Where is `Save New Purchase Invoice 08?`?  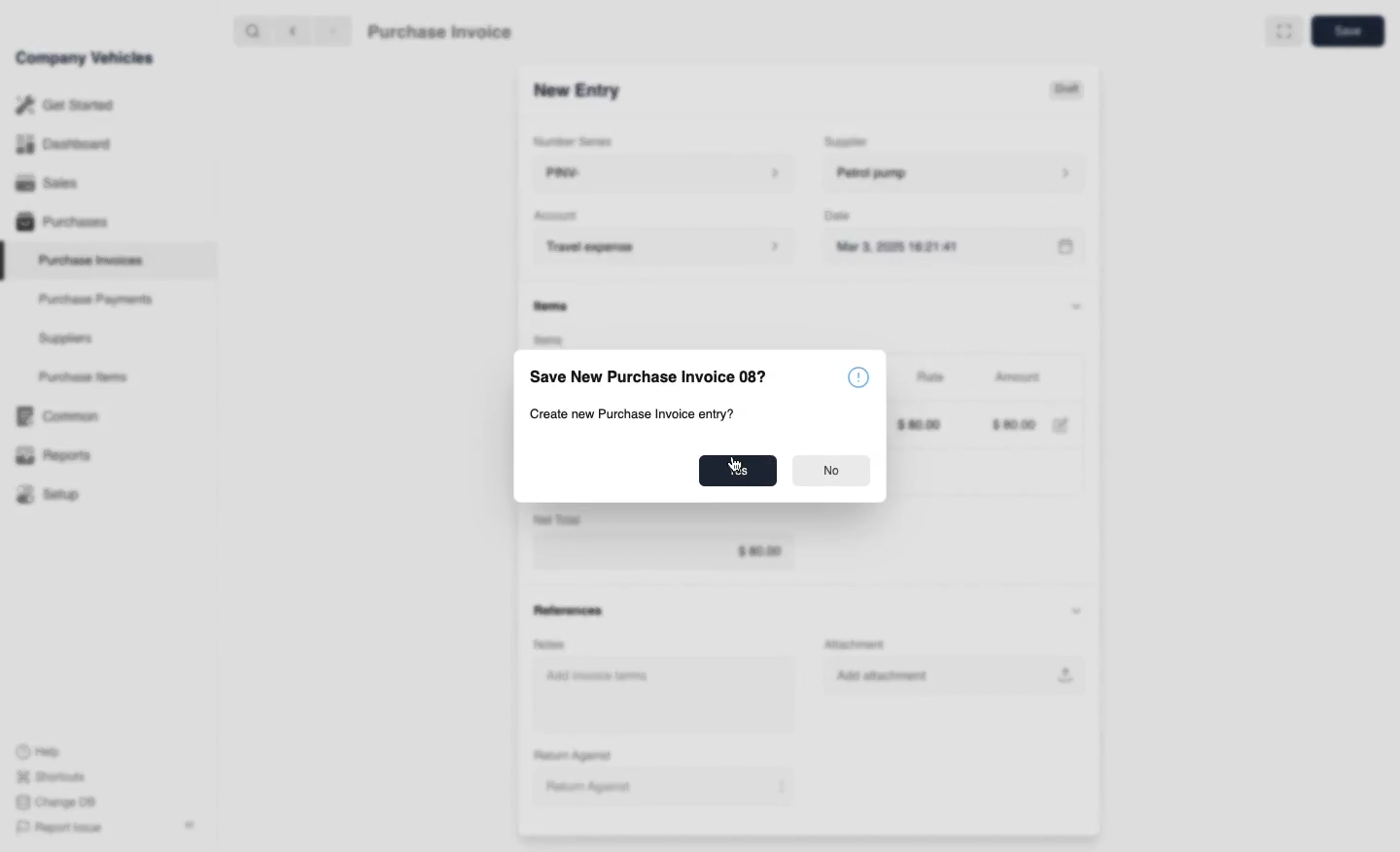 Save New Purchase Invoice 08? is located at coordinates (646, 377).